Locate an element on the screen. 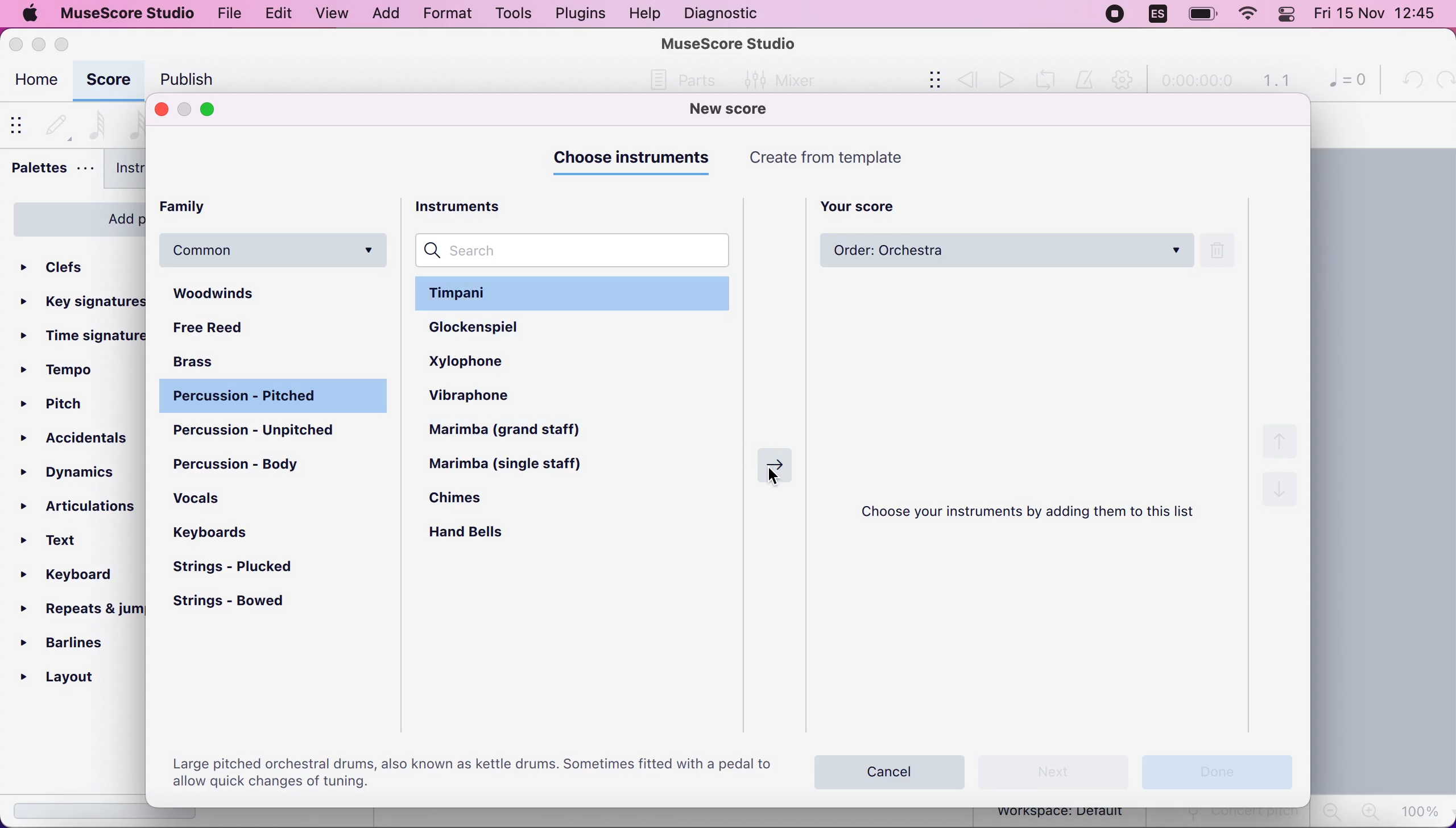 Image resolution: width=1456 pixels, height=828 pixels. minimize is located at coordinates (185, 110).